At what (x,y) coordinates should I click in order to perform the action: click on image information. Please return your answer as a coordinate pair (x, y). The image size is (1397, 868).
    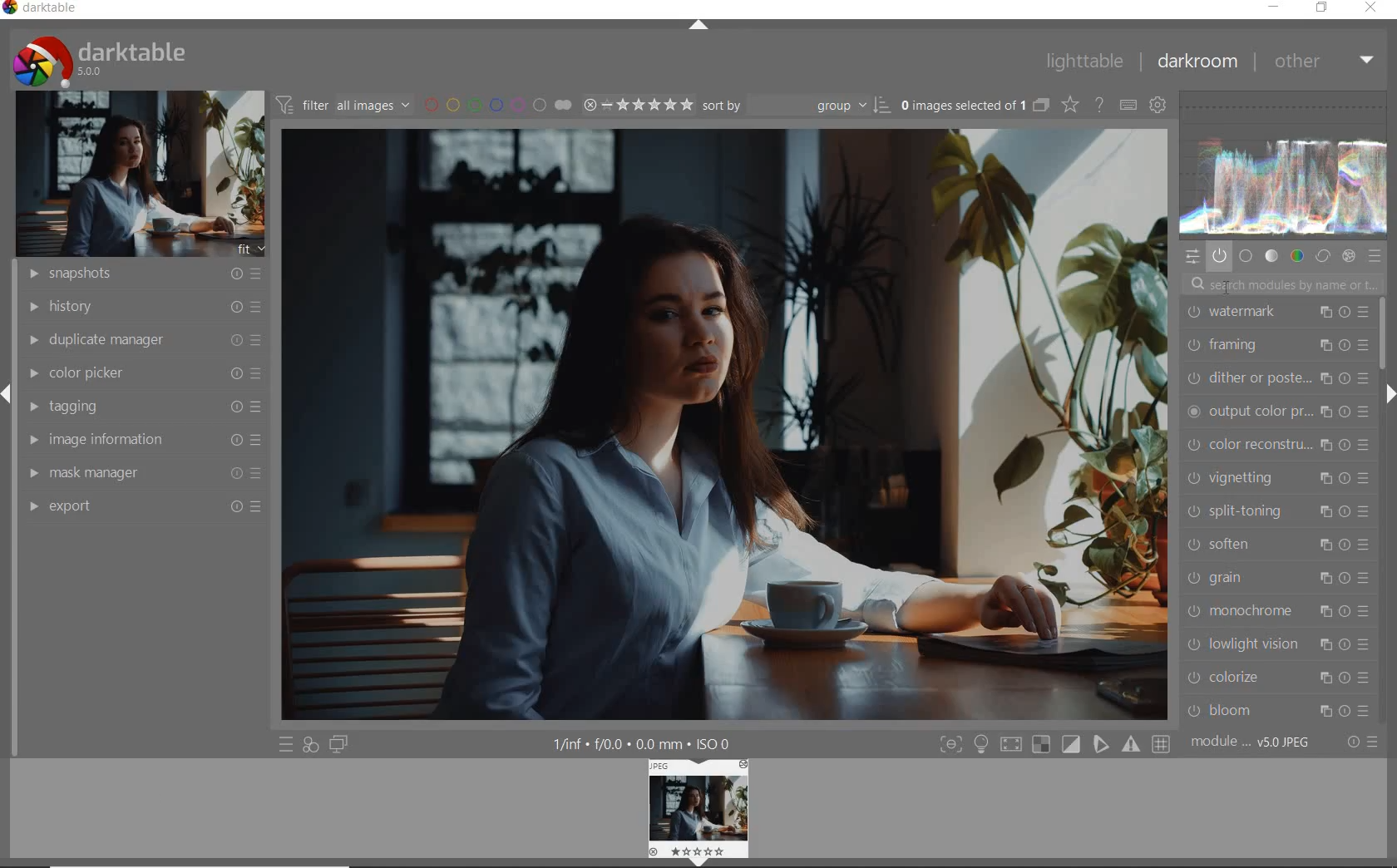
    Looking at the image, I should click on (143, 440).